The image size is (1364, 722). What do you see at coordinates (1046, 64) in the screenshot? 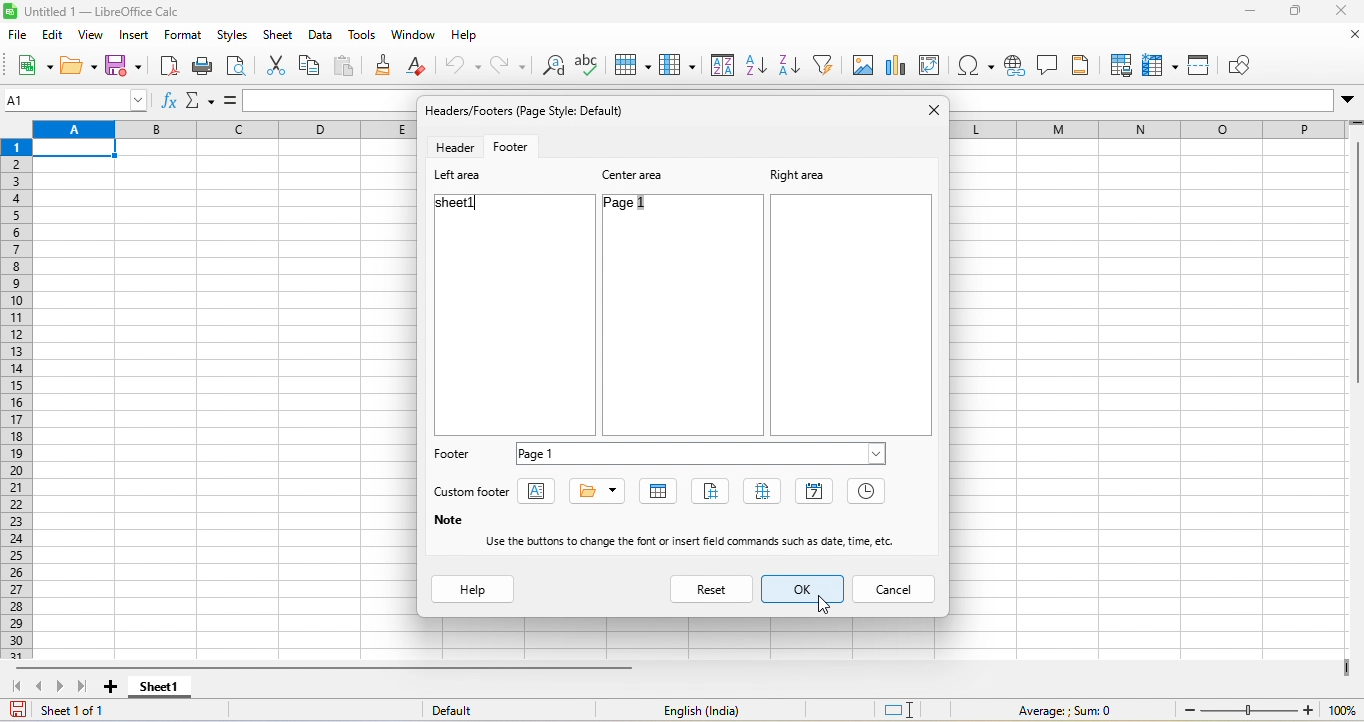
I see `comment` at bounding box center [1046, 64].